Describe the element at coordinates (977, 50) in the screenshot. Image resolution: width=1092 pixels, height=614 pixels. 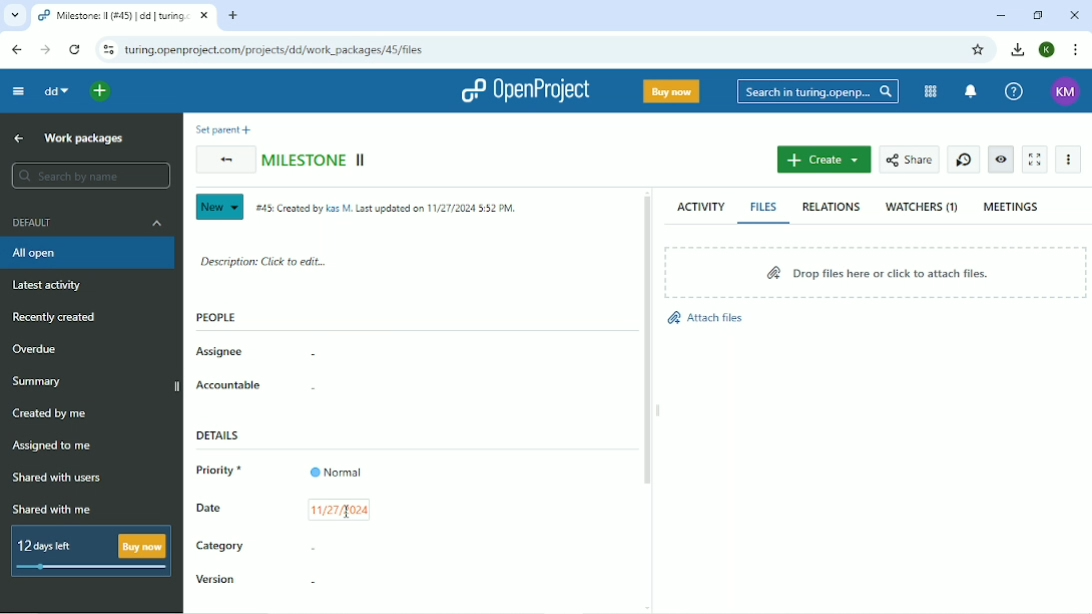
I see `Bookmark this tab` at that location.